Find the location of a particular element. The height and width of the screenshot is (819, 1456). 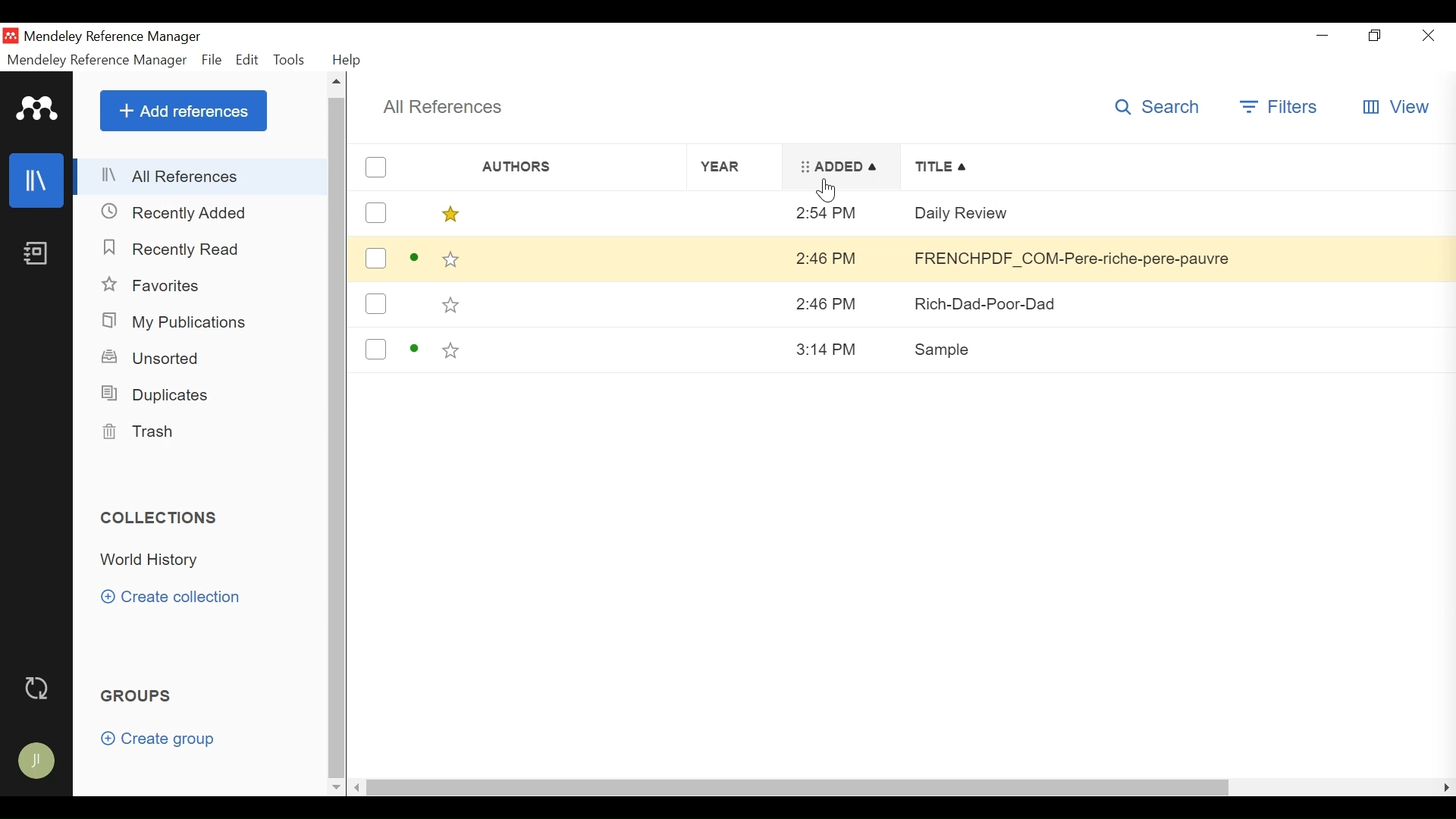

Year is located at coordinates (739, 165).